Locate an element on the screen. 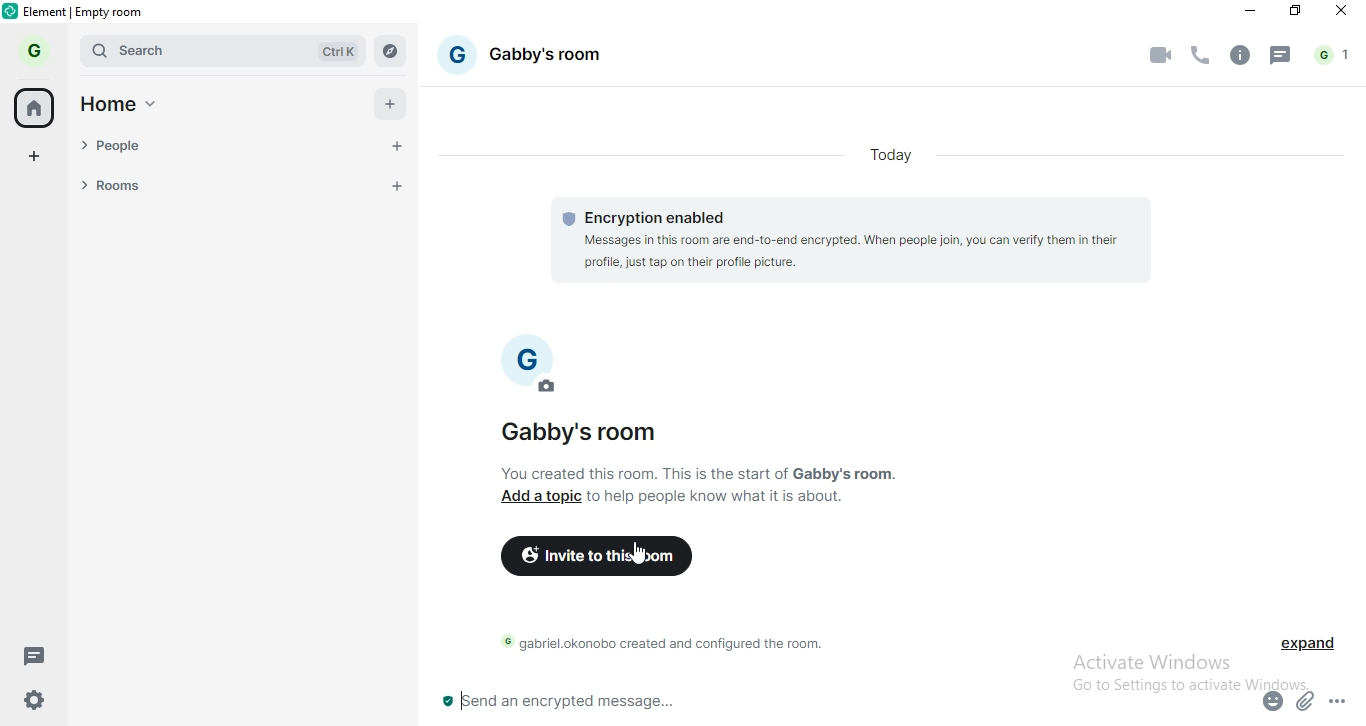 This screenshot has height=726, width=1366. home is located at coordinates (37, 107).